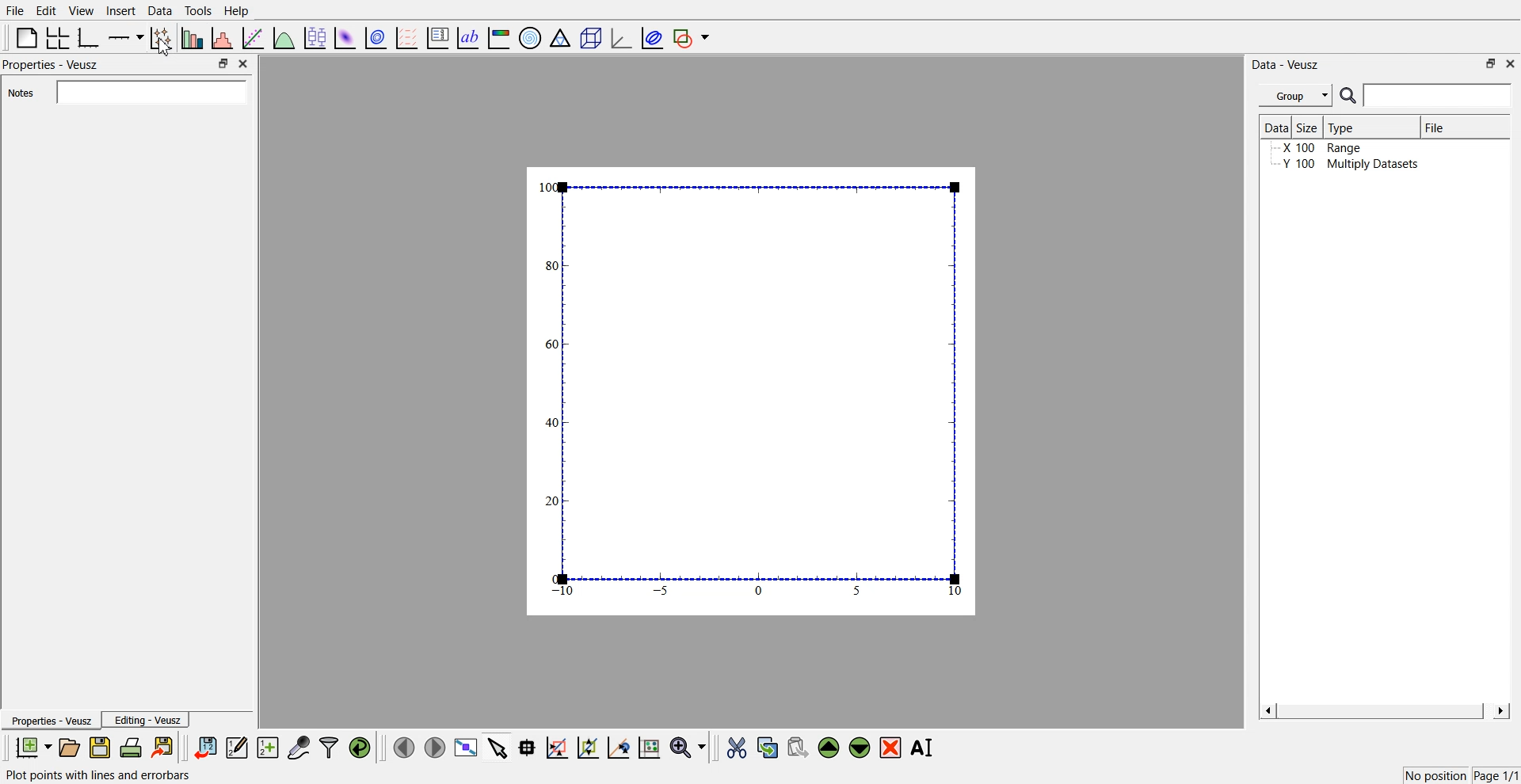 The height and width of the screenshot is (784, 1521). I want to click on scroll bar, so click(1383, 710).